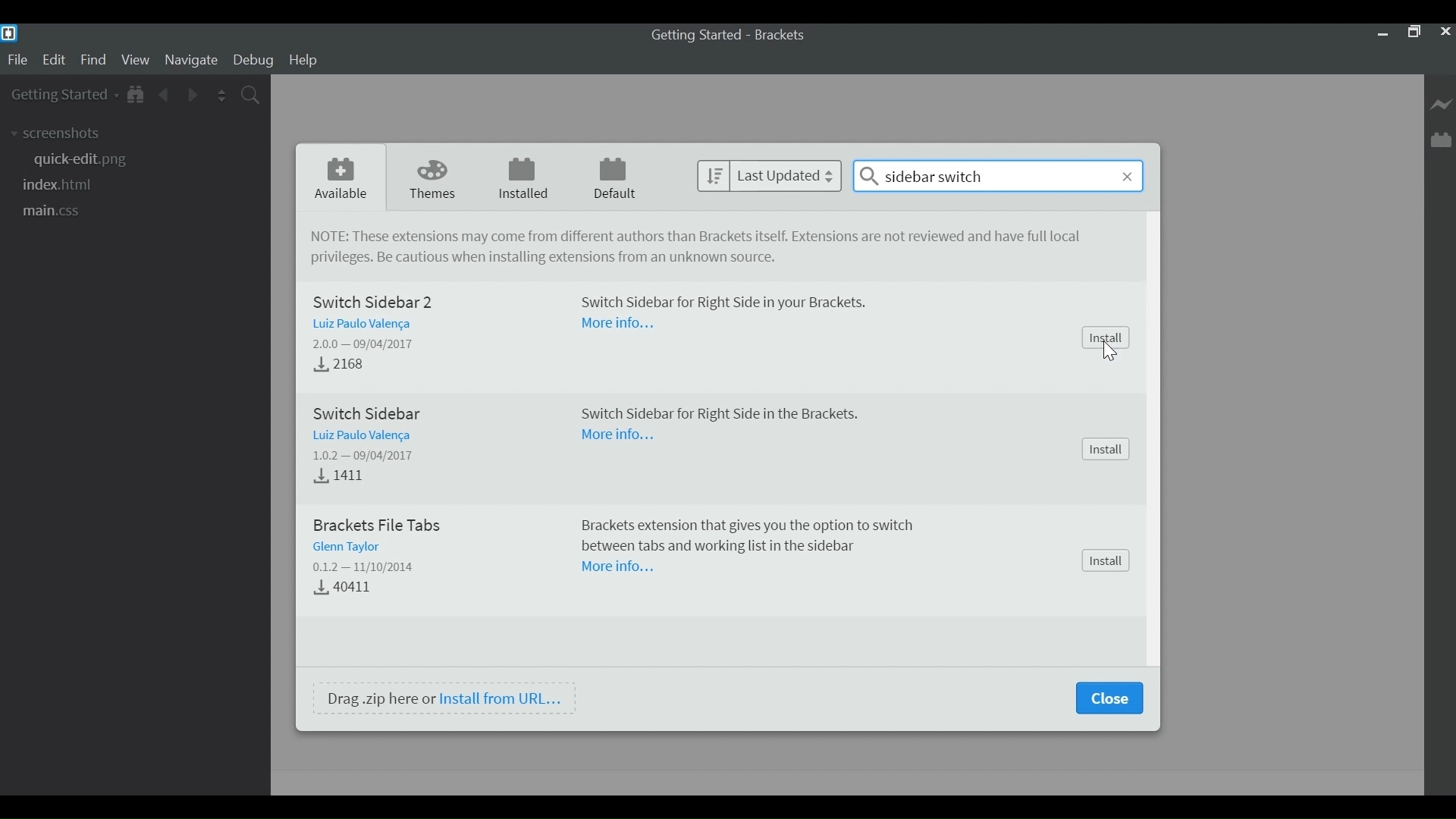  I want to click on Find in Files, so click(252, 96).